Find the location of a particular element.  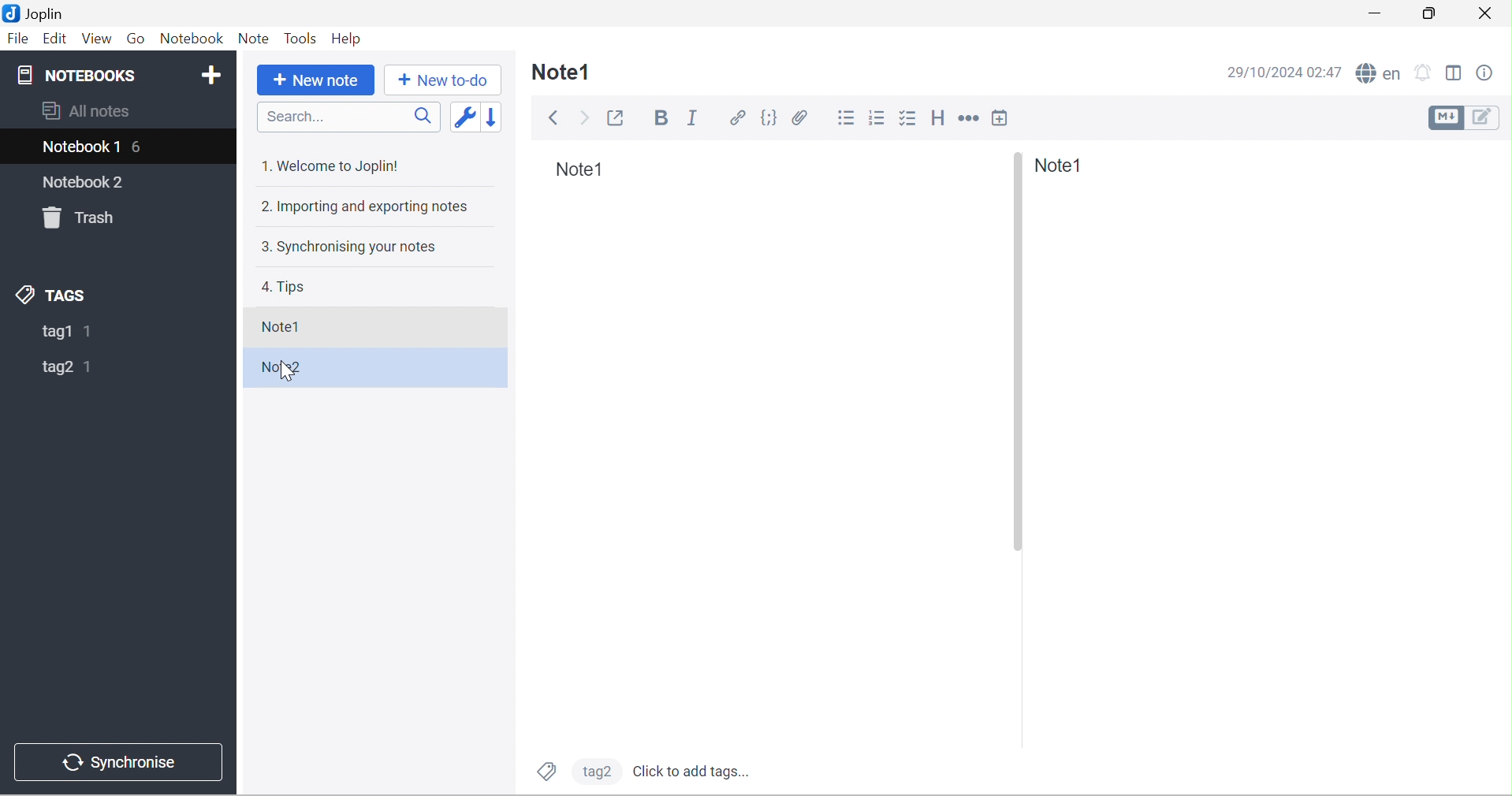

Toggle sort order field: updated date -> created date is located at coordinates (465, 117).